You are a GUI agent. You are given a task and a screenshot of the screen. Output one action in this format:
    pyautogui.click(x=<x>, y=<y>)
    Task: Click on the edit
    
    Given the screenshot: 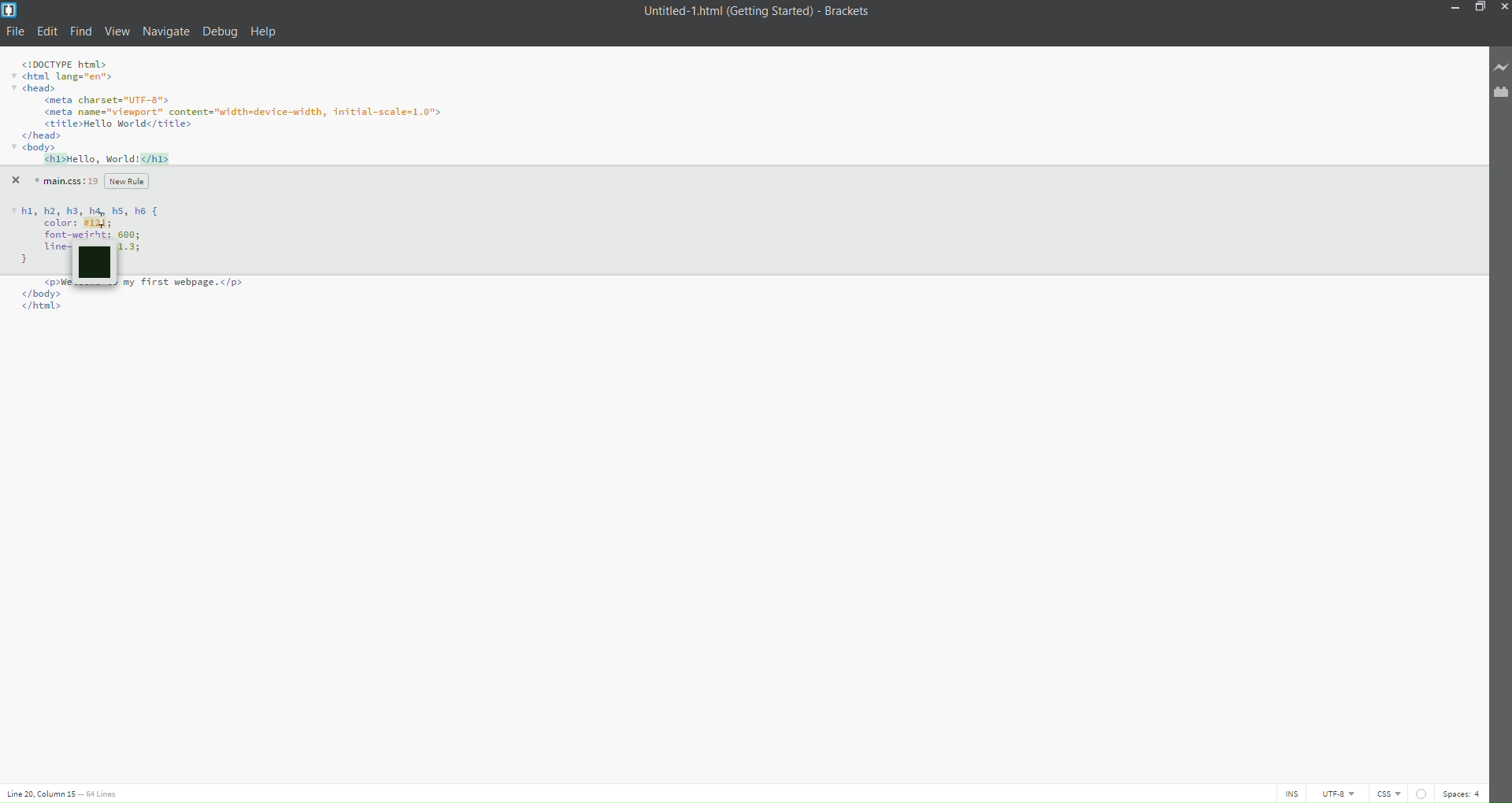 What is the action you would take?
    pyautogui.click(x=49, y=31)
    